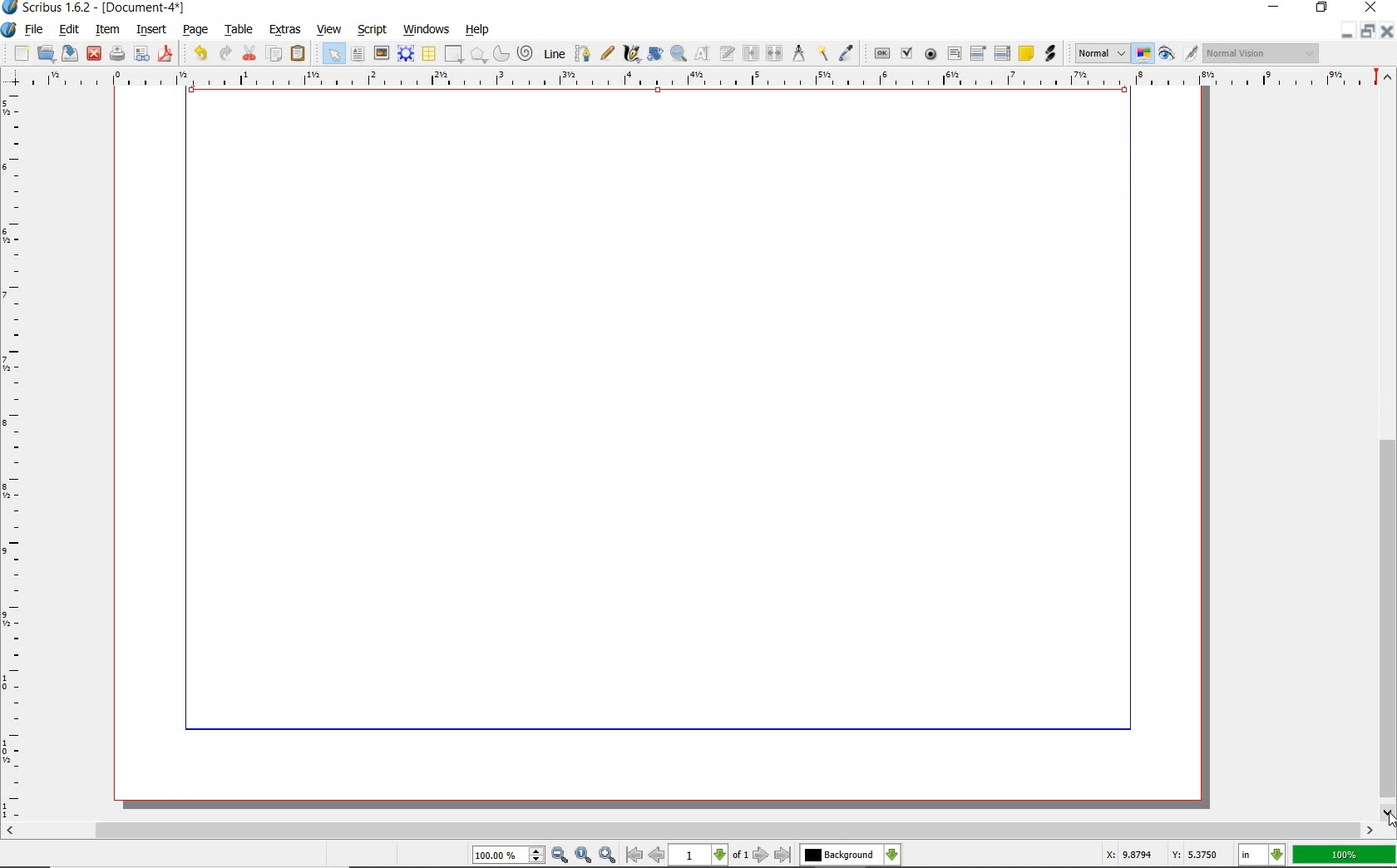 The image size is (1397, 868). What do you see at coordinates (608, 855) in the screenshot?
I see `zoom in` at bounding box center [608, 855].